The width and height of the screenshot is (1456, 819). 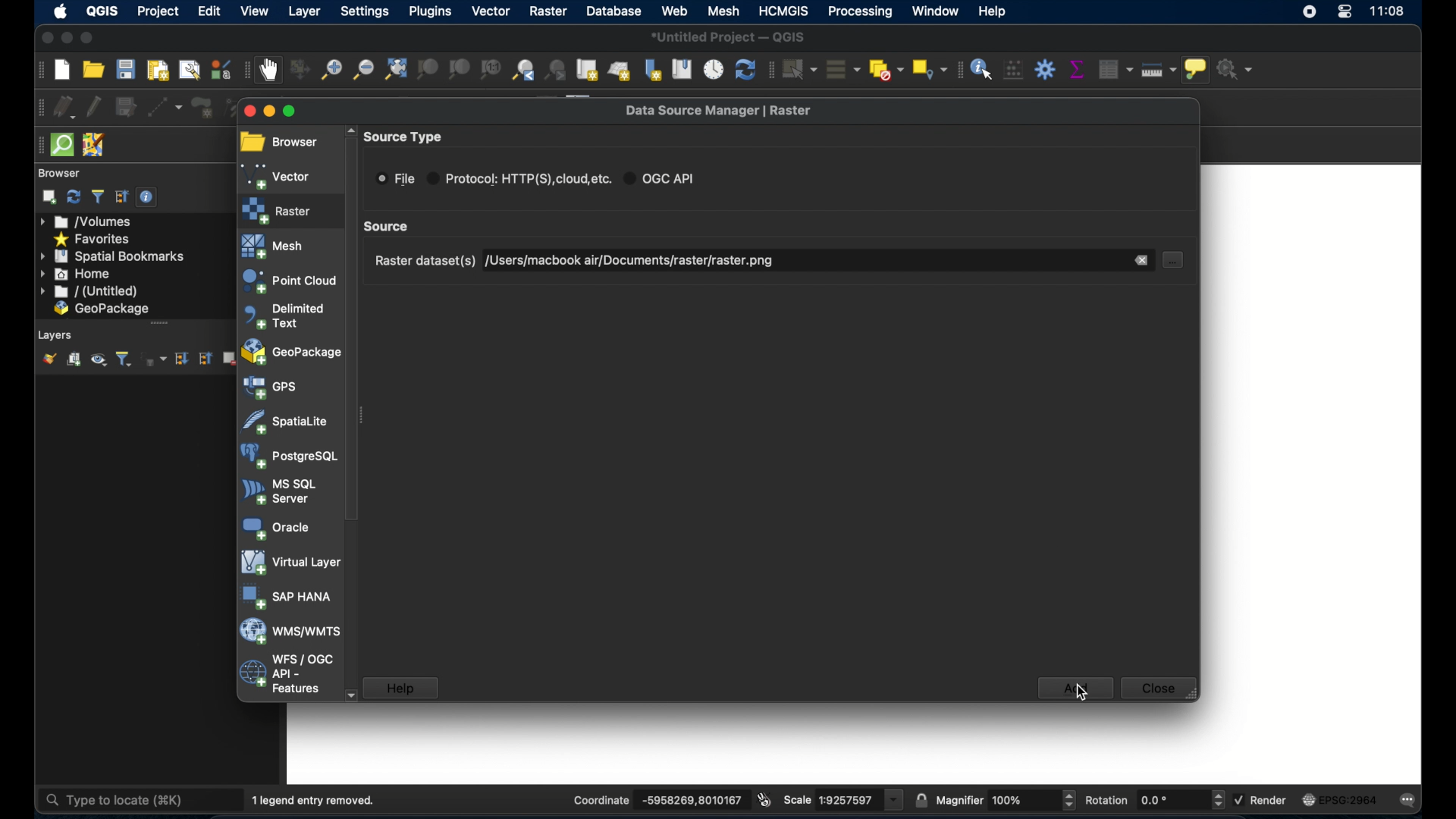 What do you see at coordinates (286, 675) in the screenshot?
I see `wfs/ogc api - features` at bounding box center [286, 675].